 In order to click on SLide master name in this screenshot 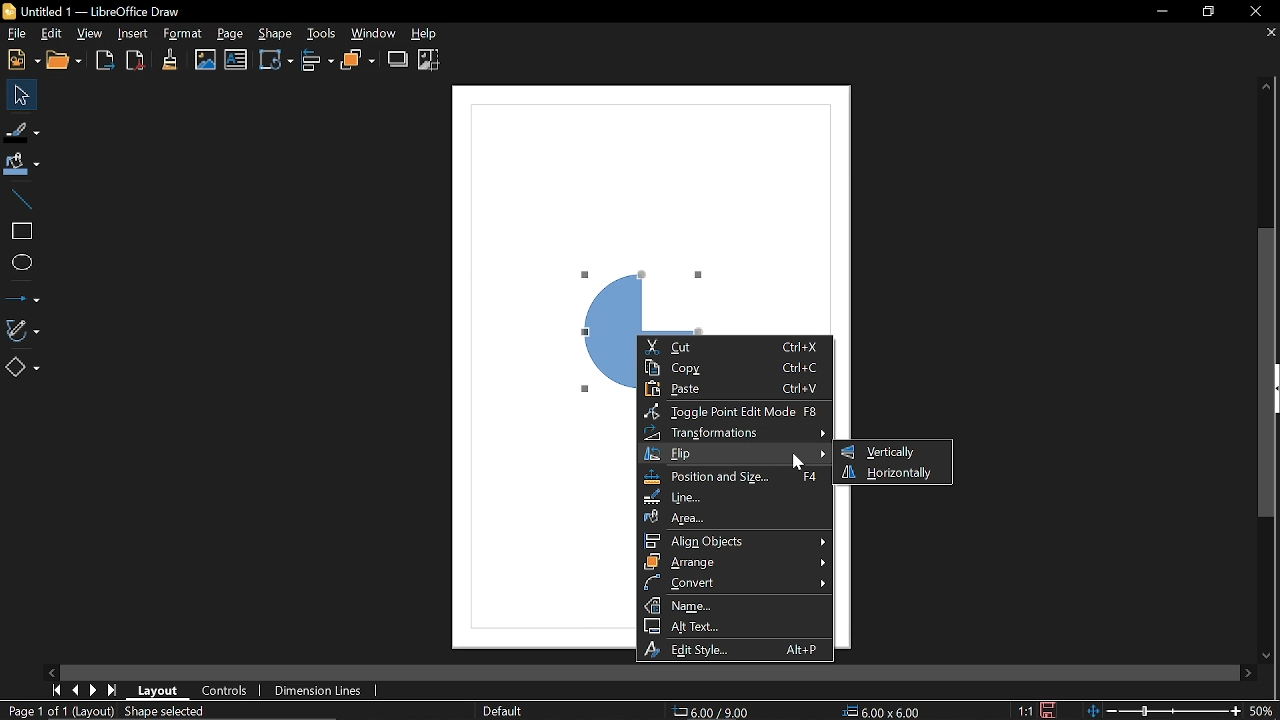, I will do `click(514, 710)`.